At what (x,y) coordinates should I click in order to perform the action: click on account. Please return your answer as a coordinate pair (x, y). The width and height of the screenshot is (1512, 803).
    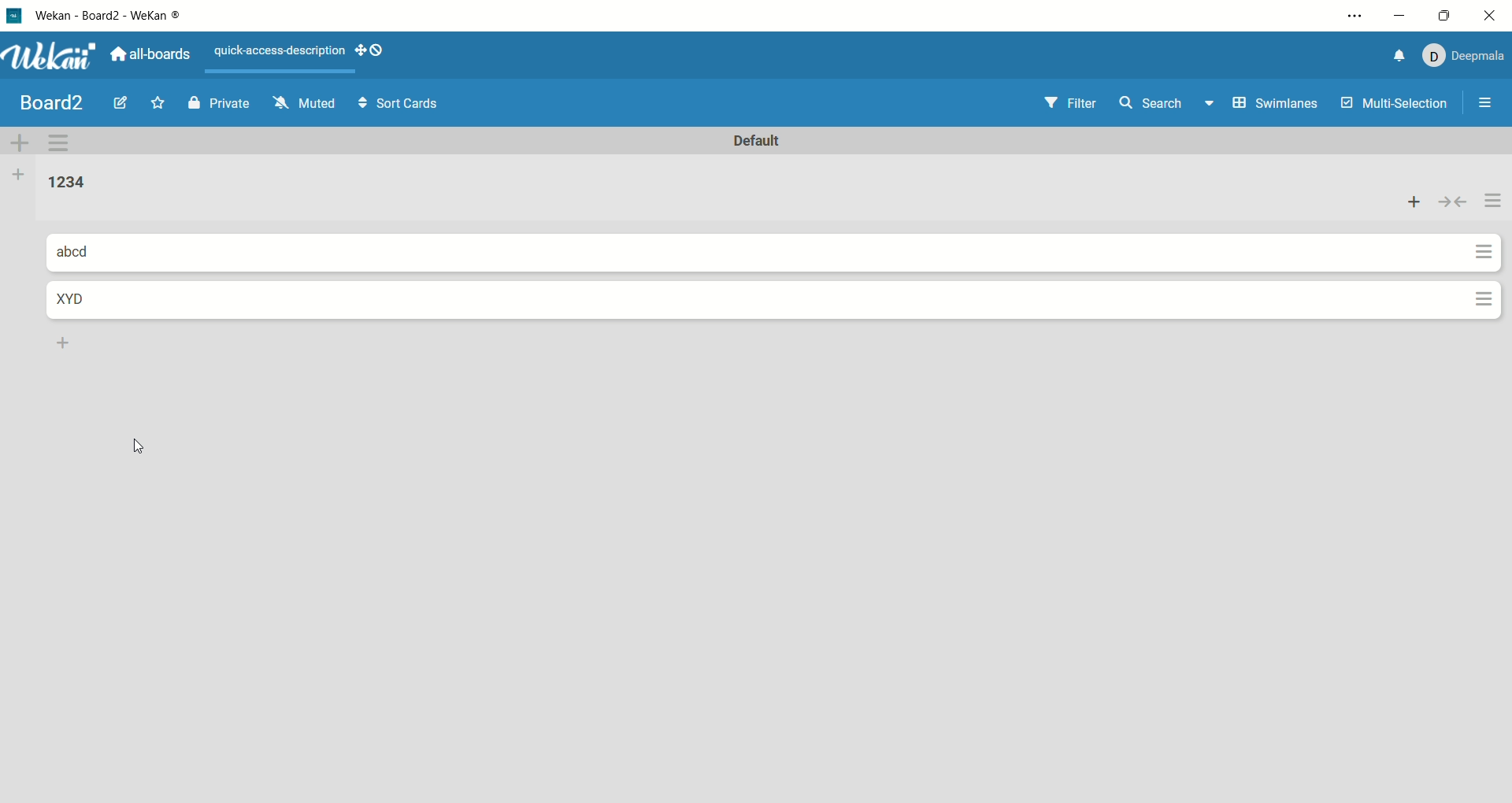
    Looking at the image, I should click on (1463, 53).